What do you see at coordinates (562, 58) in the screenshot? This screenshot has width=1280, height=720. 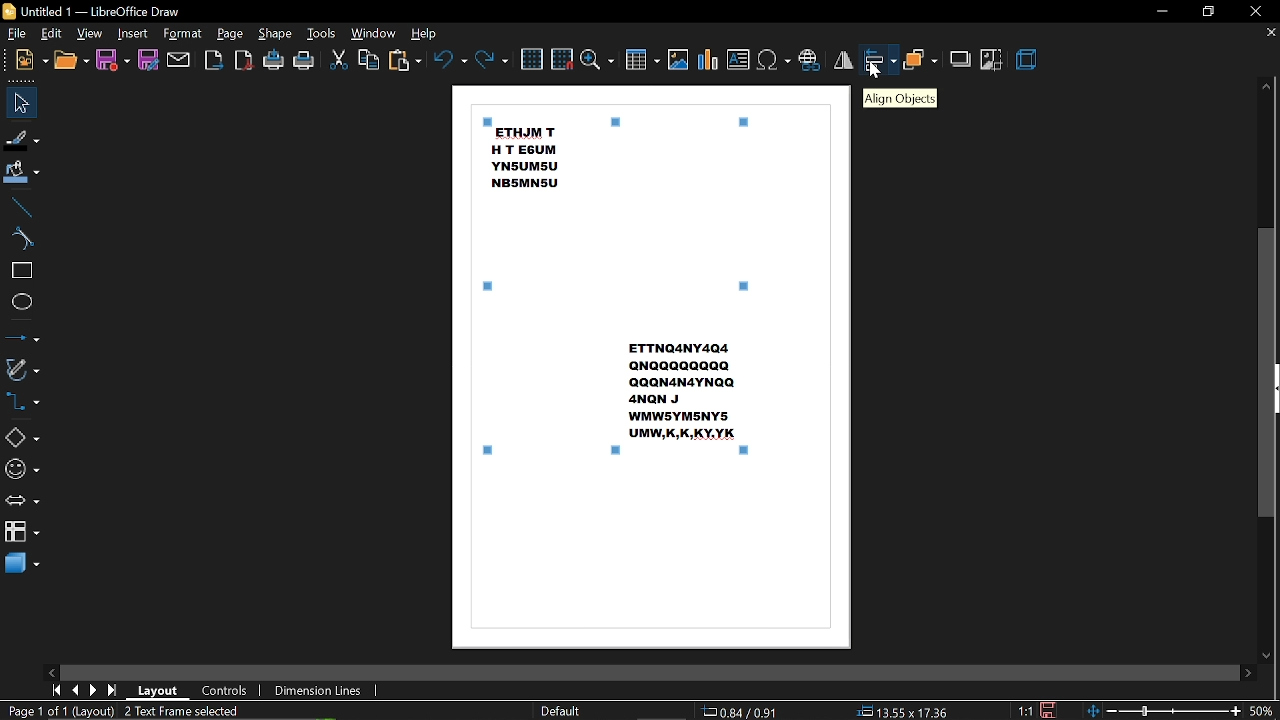 I see `snap to grid` at bounding box center [562, 58].